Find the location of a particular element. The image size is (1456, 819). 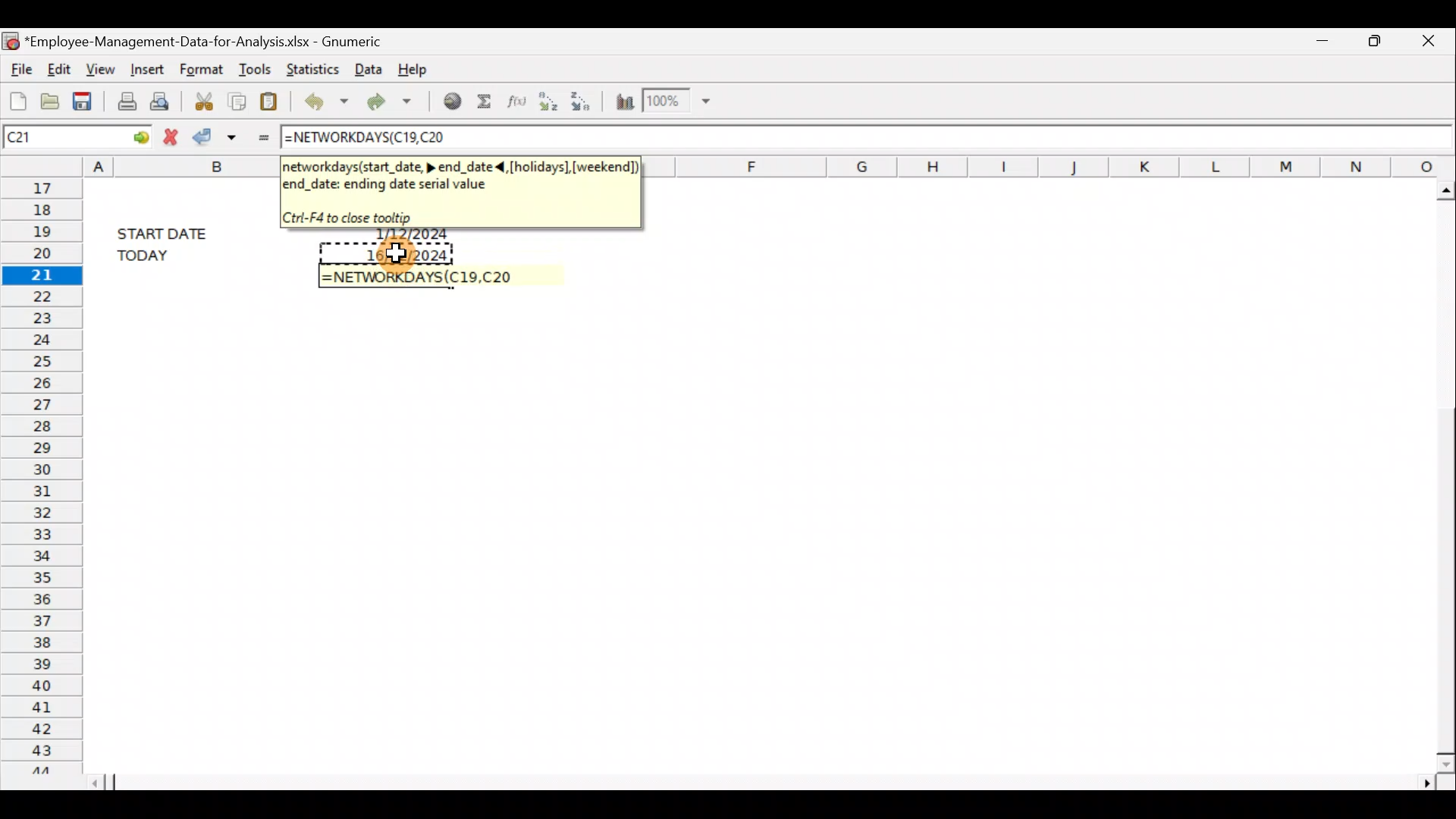

Sort in descending order is located at coordinates (584, 101).